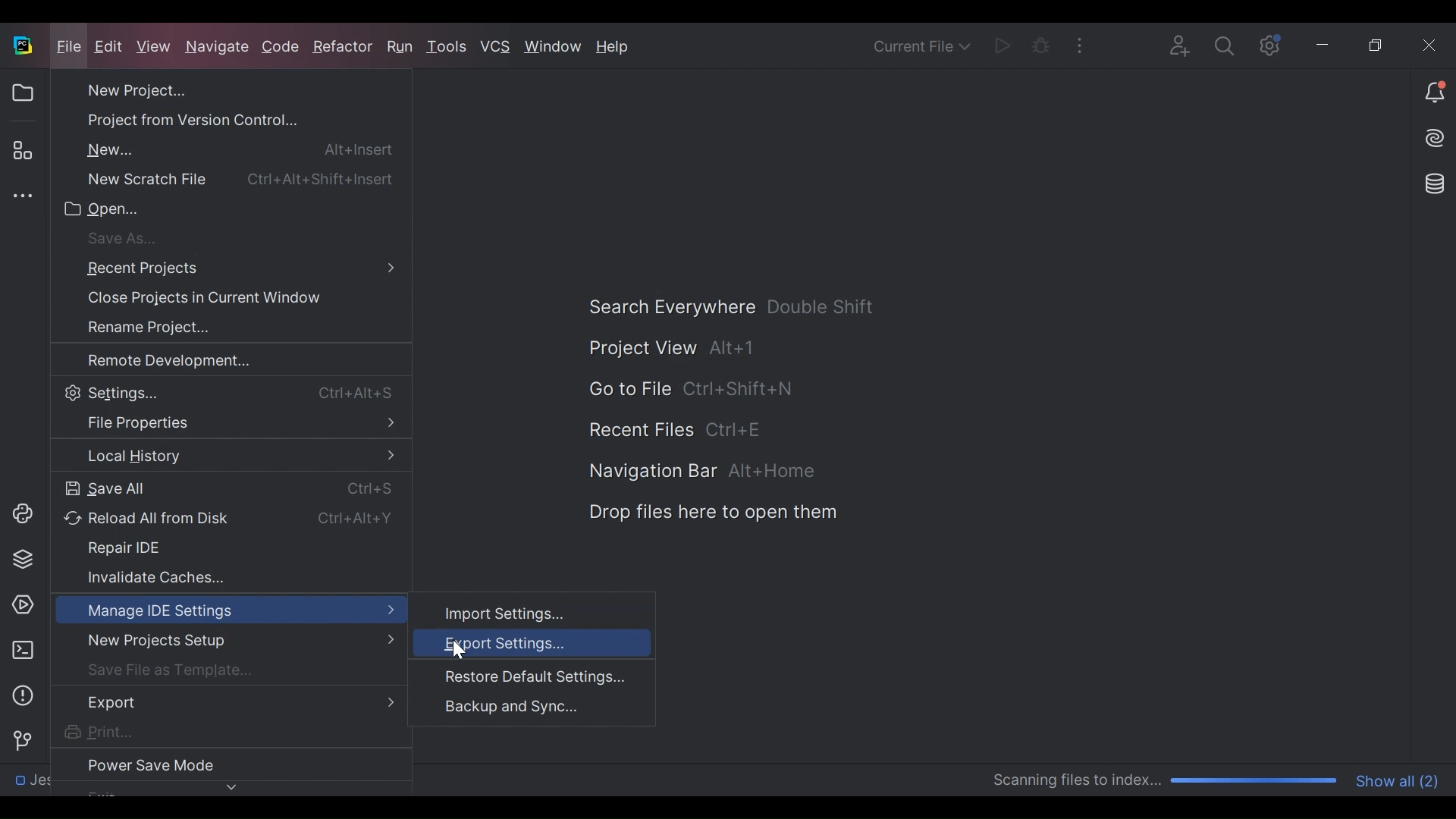 The width and height of the screenshot is (1456, 819). I want to click on Remote Development, so click(209, 360).